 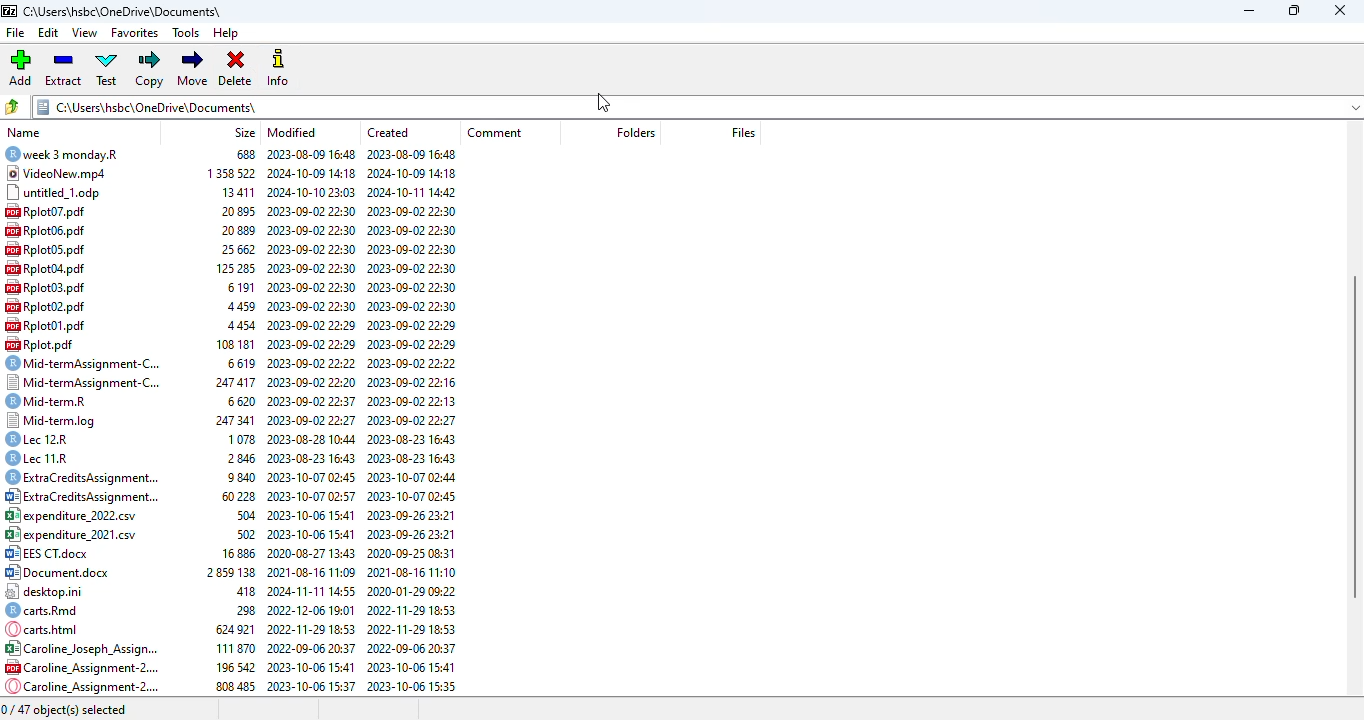 What do you see at coordinates (1354, 433) in the screenshot?
I see `vertical scroll bar` at bounding box center [1354, 433].